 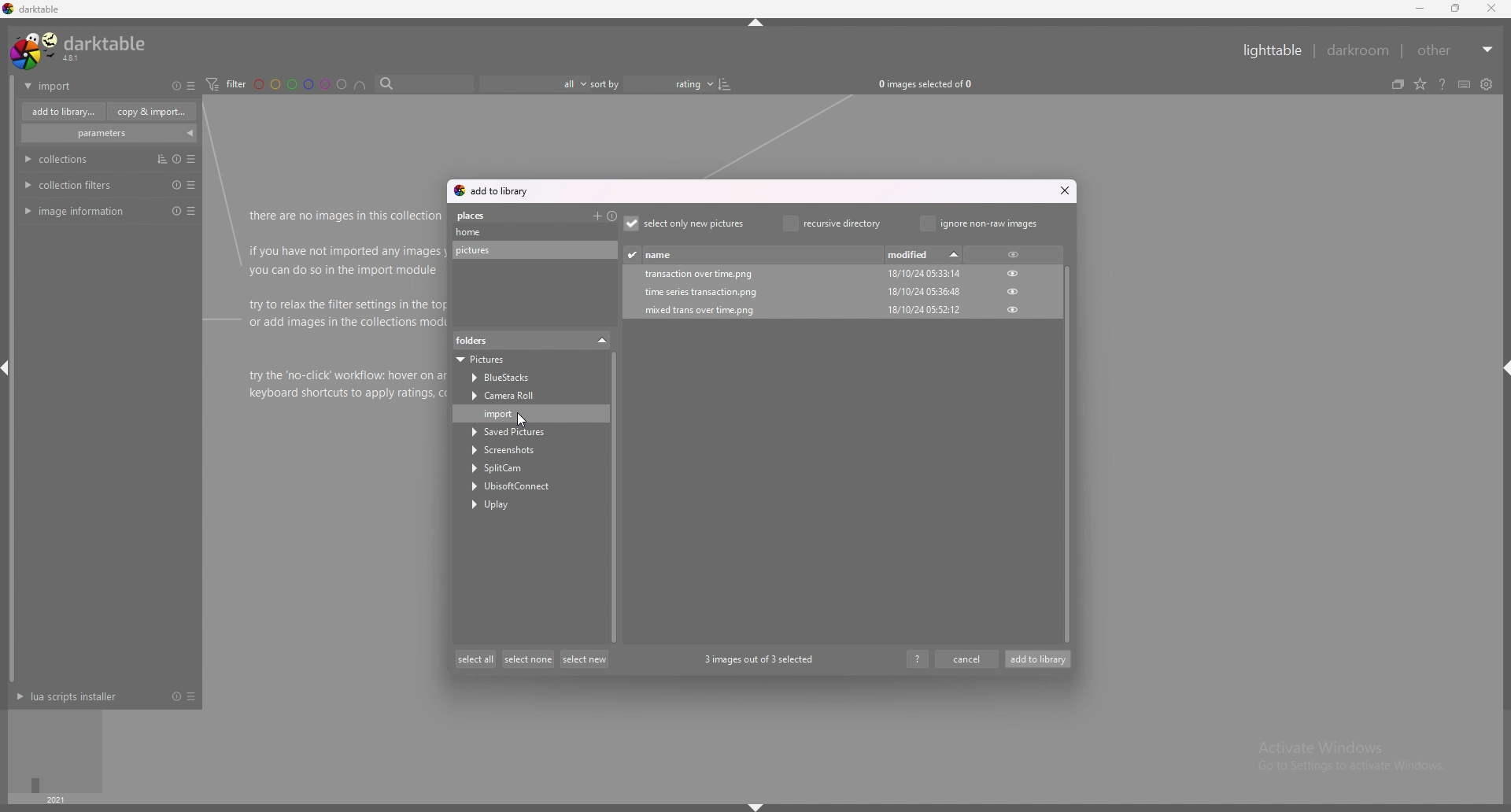 What do you see at coordinates (477, 660) in the screenshot?
I see `select all` at bounding box center [477, 660].